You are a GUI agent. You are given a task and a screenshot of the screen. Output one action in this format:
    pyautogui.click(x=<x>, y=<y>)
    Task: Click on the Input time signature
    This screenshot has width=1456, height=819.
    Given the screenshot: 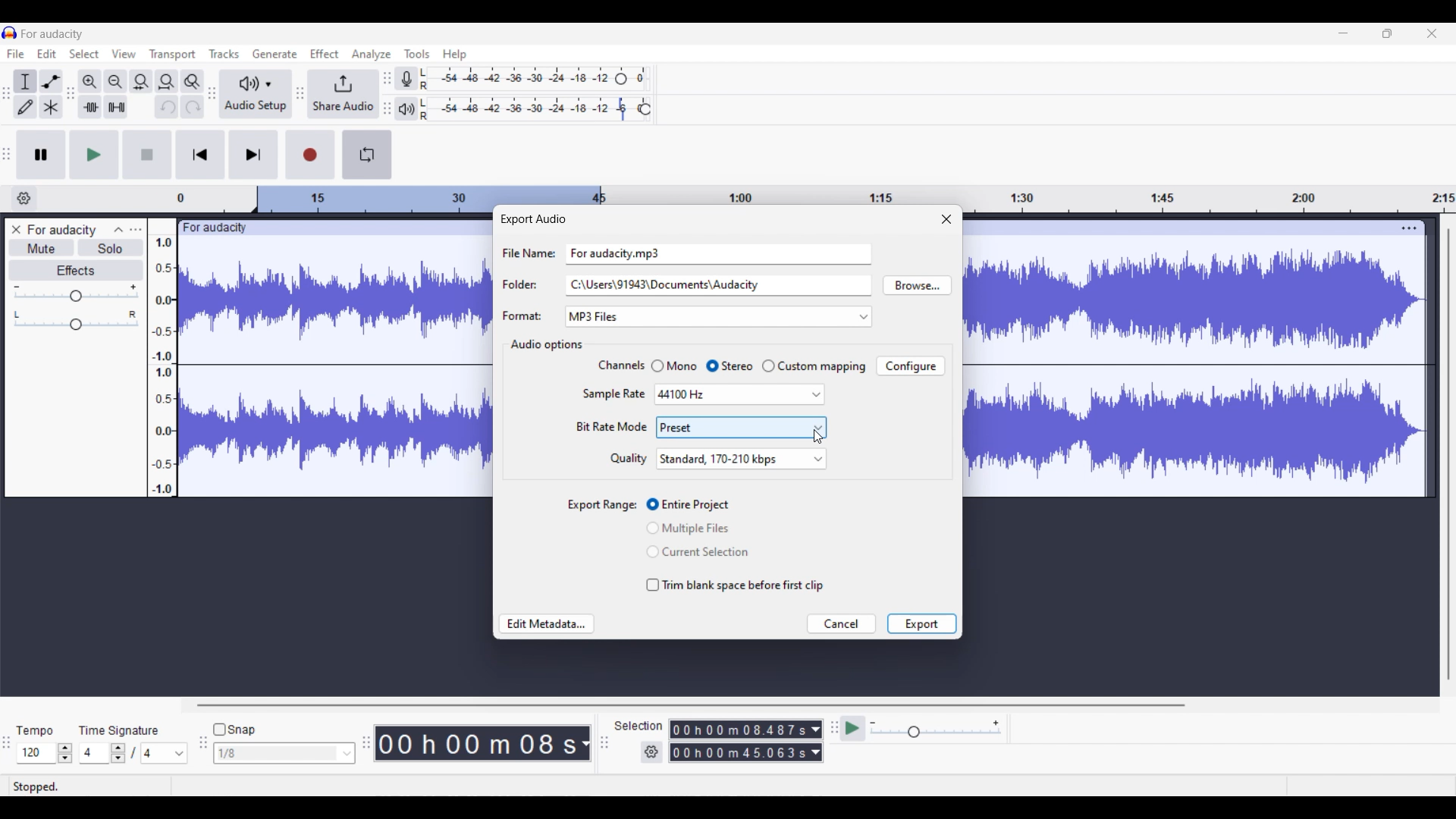 What is the action you would take?
    pyautogui.click(x=93, y=753)
    